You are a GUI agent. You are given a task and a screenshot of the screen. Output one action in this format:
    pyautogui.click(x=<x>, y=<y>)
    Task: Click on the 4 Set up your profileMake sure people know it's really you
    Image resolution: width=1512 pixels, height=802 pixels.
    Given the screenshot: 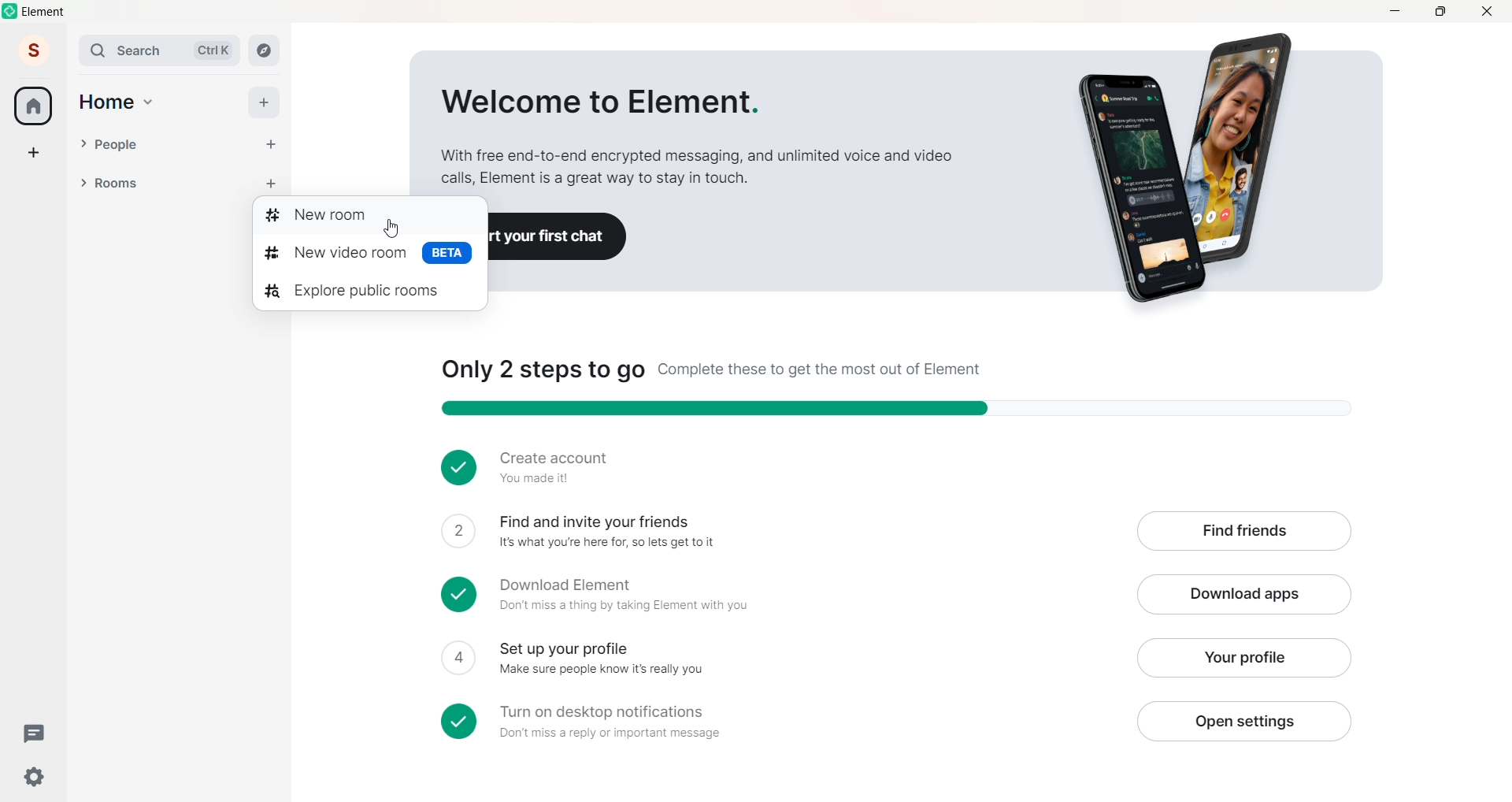 What is the action you would take?
    pyautogui.click(x=776, y=659)
    